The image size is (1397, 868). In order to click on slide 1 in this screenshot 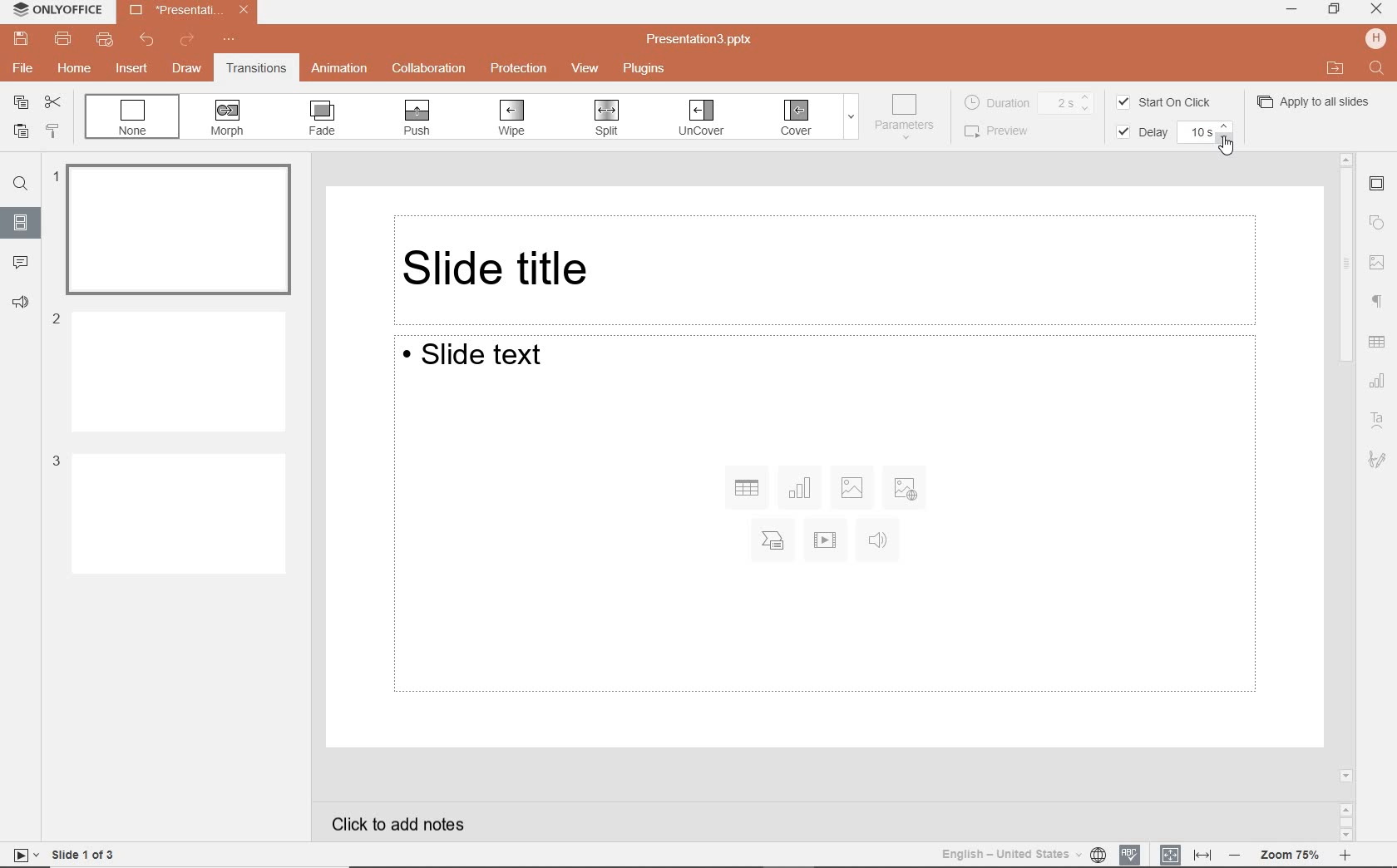, I will do `click(175, 225)`.